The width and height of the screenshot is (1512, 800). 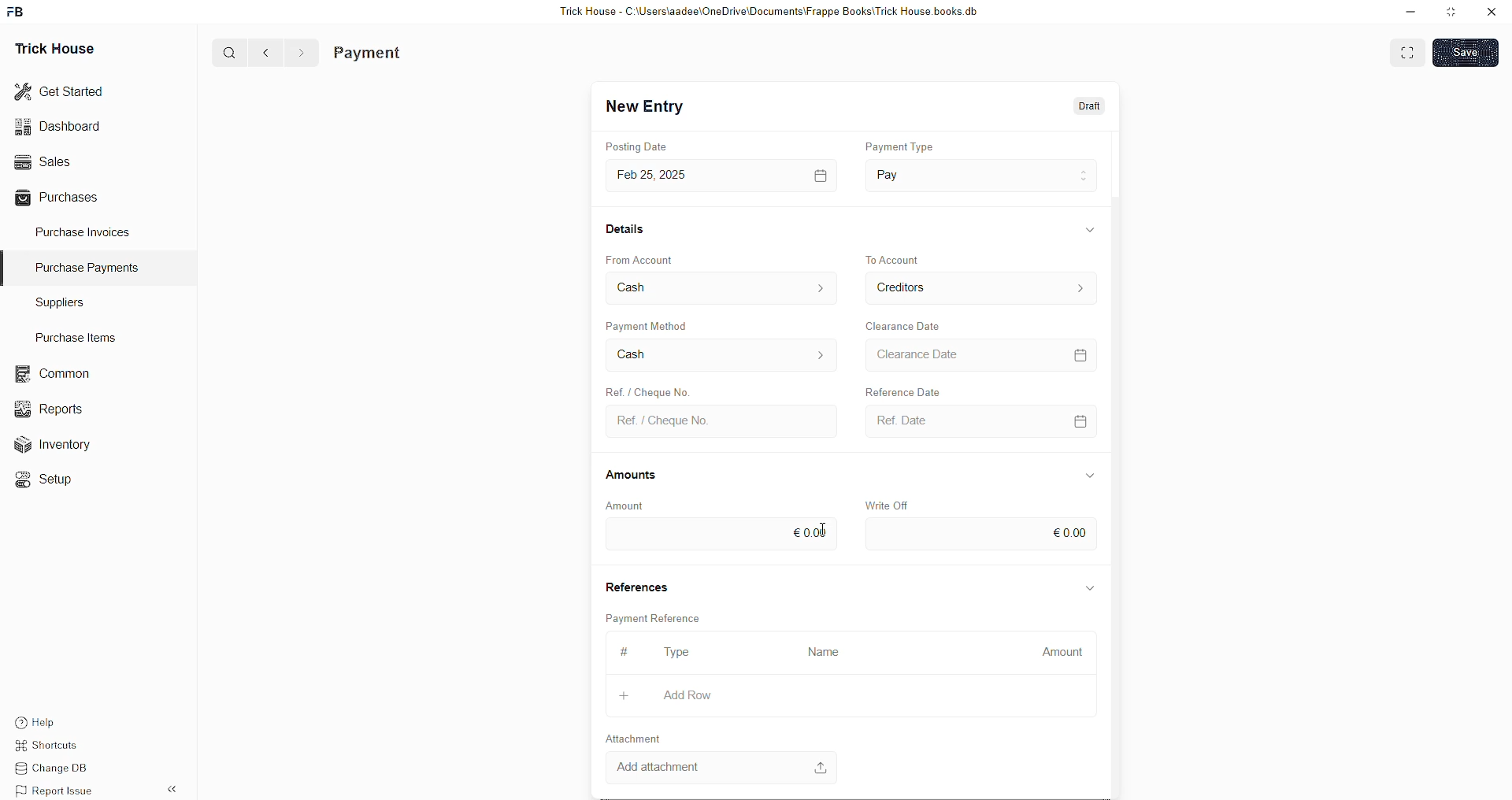 I want to click on Attachment, so click(x=625, y=738).